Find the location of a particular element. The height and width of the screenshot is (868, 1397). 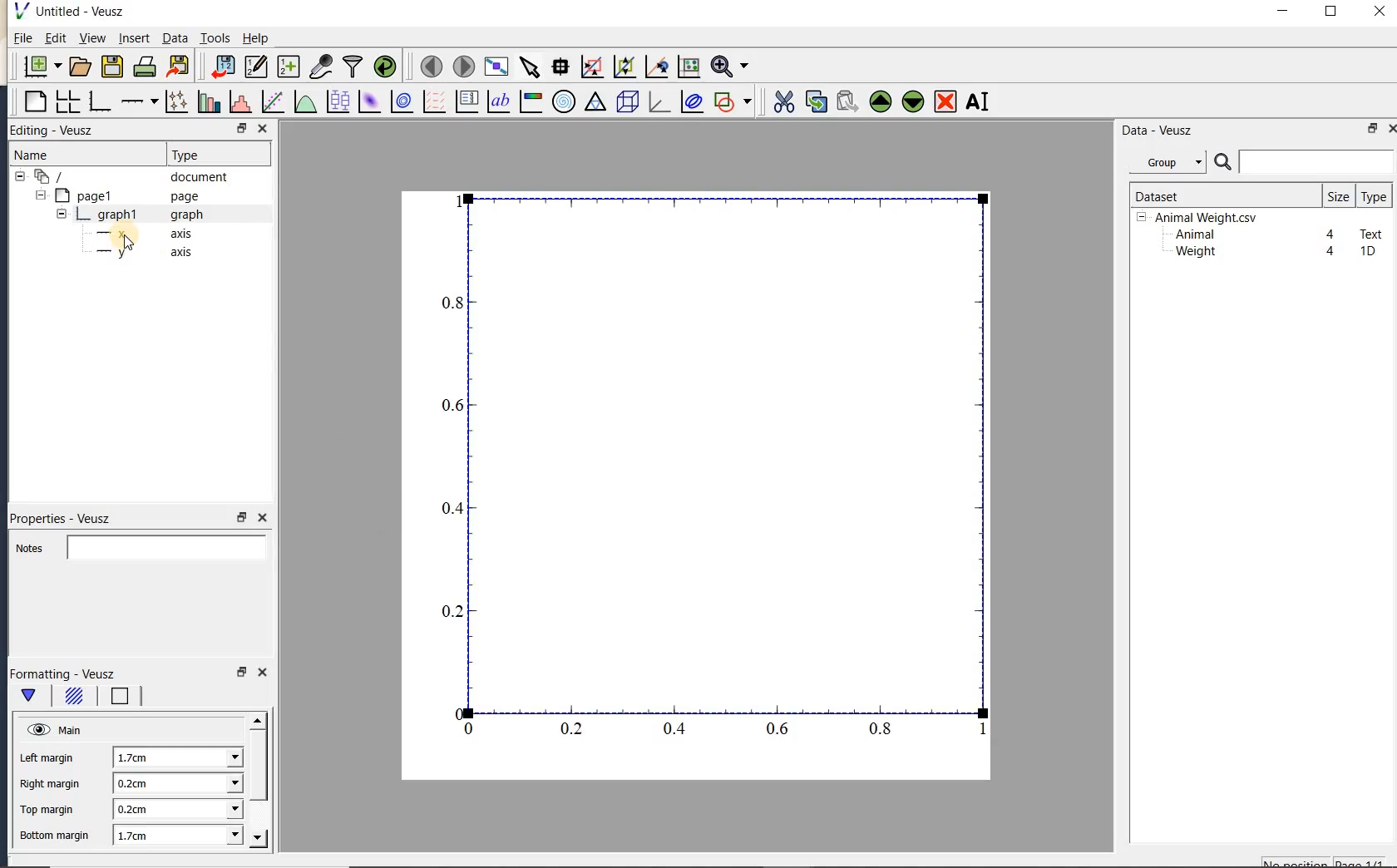

copy the selected widget is located at coordinates (814, 101).